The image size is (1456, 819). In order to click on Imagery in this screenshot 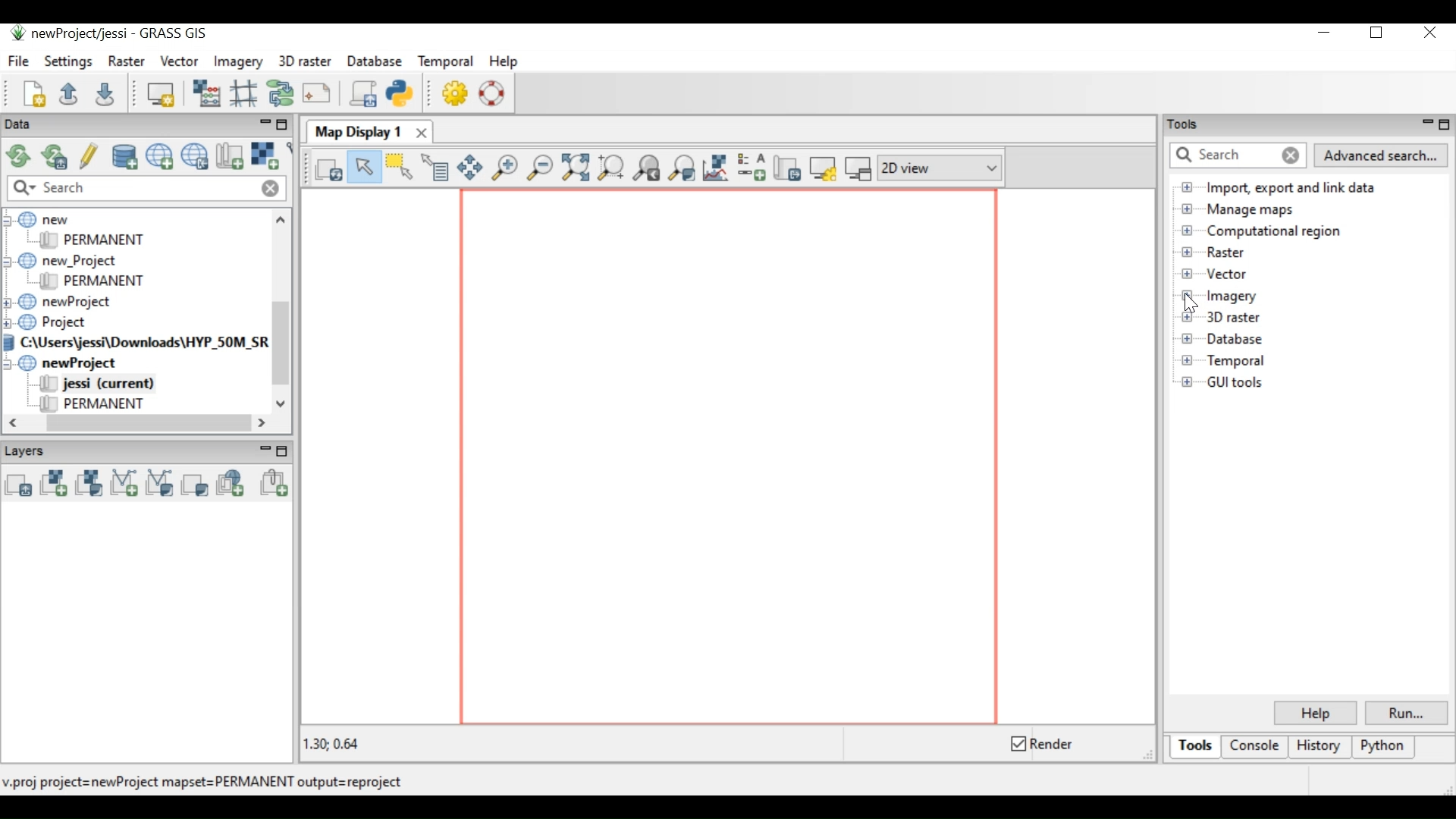, I will do `click(1219, 297)`.